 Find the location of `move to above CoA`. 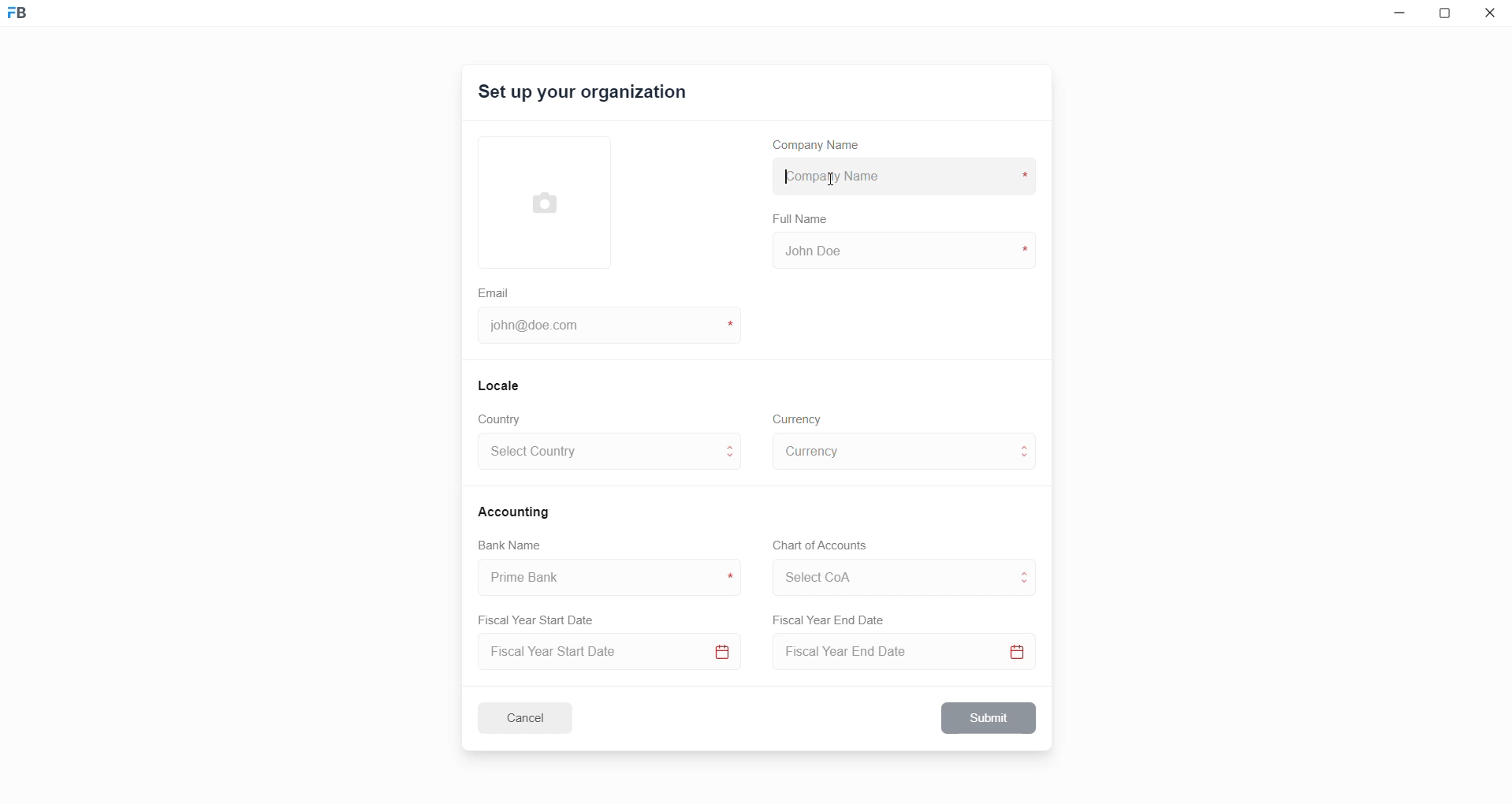

move to above CoA is located at coordinates (1028, 571).